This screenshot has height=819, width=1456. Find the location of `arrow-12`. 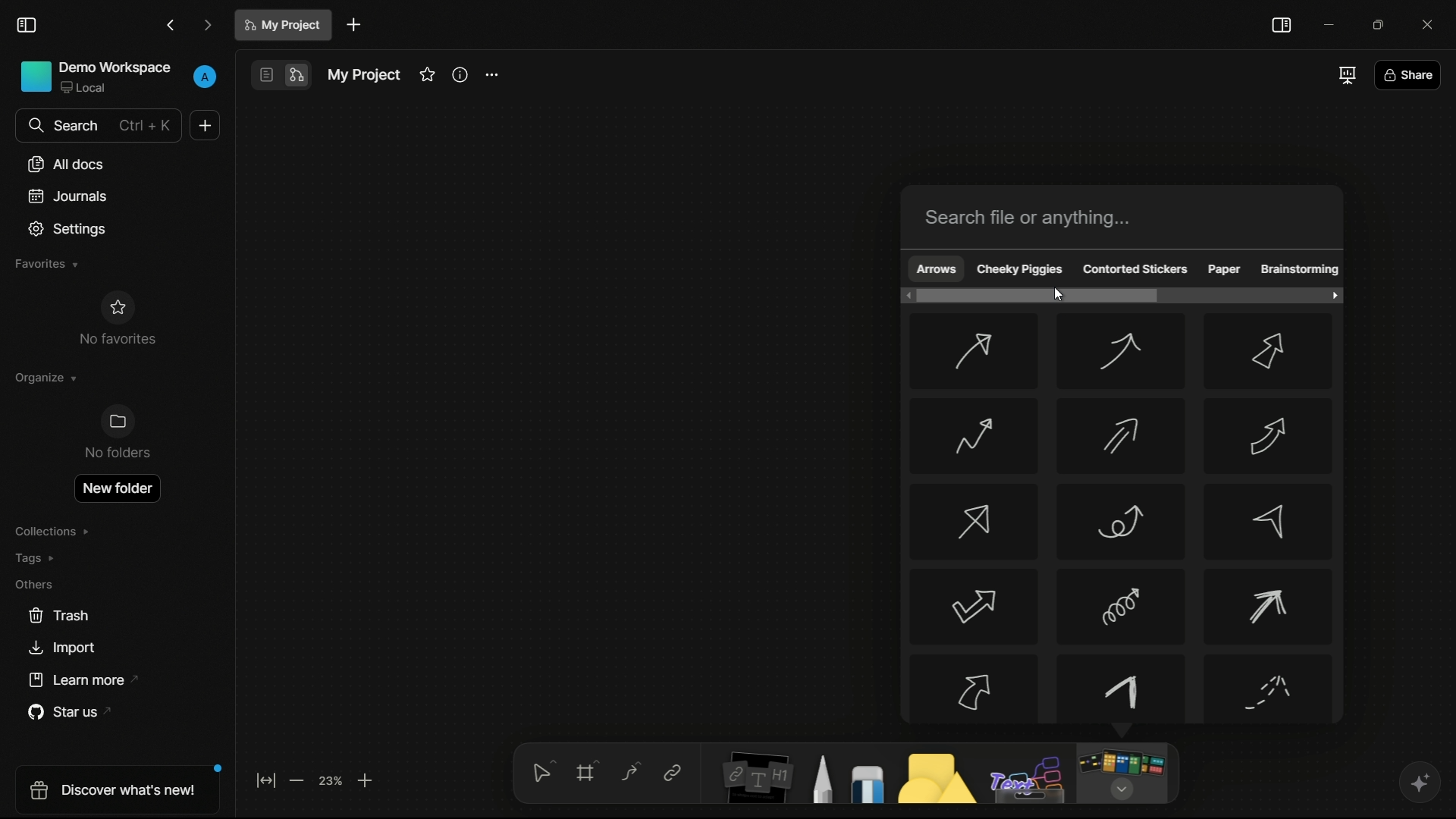

arrow-12 is located at coordinates (1271, 607).